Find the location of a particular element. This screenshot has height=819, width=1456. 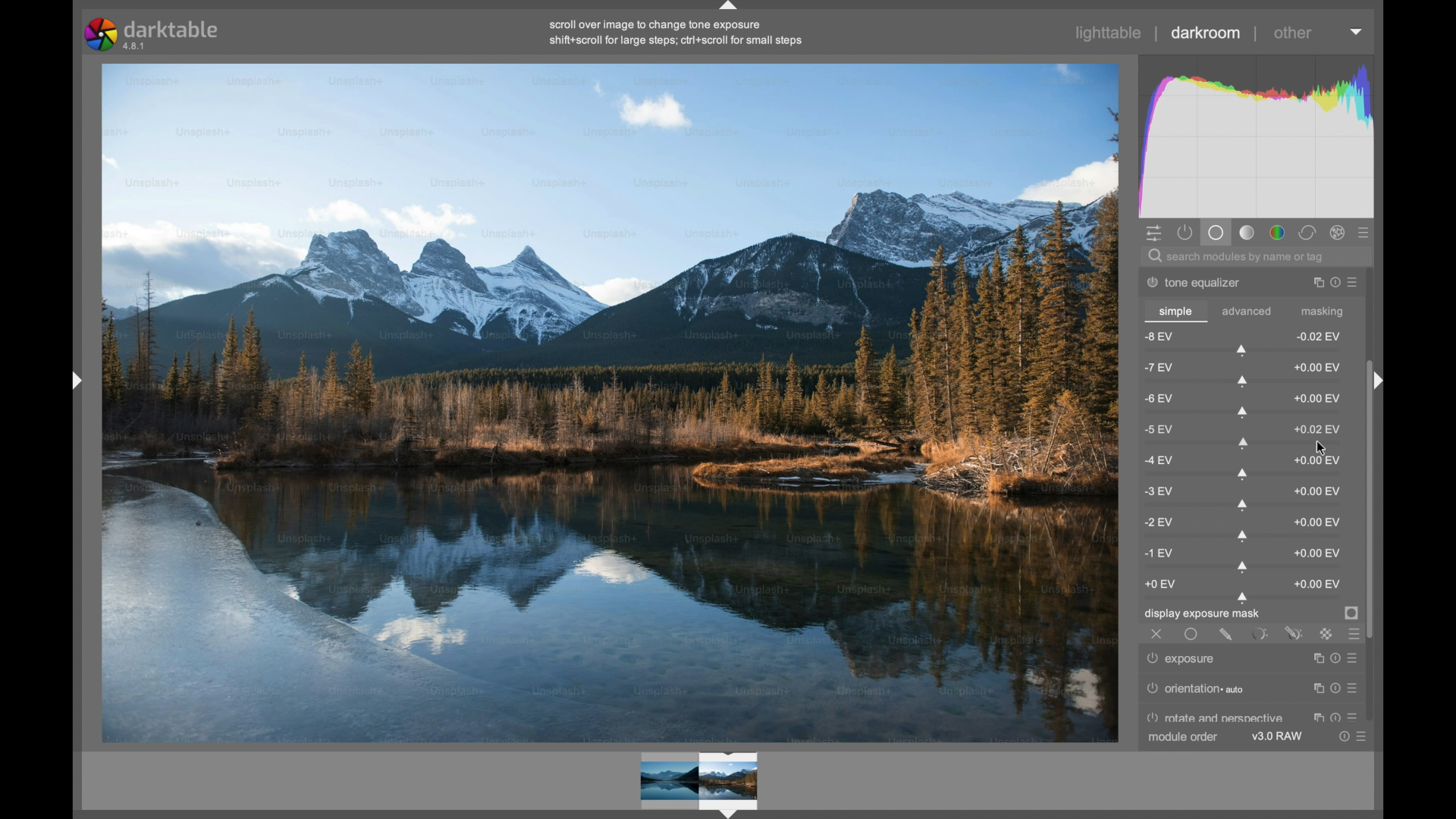

slider is located at coordinates (1241, 595).